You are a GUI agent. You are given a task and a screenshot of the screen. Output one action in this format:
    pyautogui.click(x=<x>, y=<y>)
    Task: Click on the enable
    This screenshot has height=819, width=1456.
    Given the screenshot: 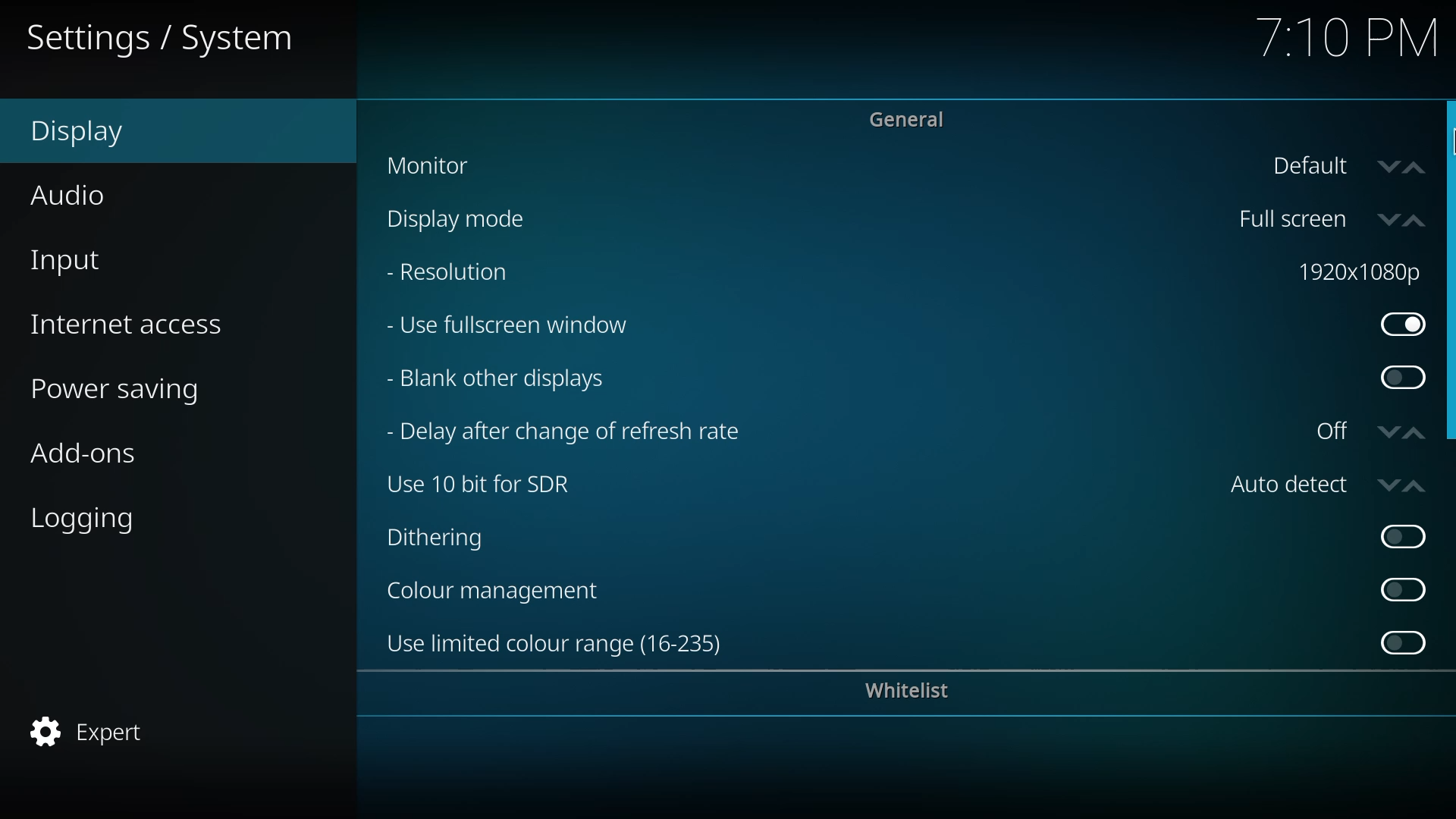 What is the action you would take?
    pyautogui.click(x=1404, y=591)
    